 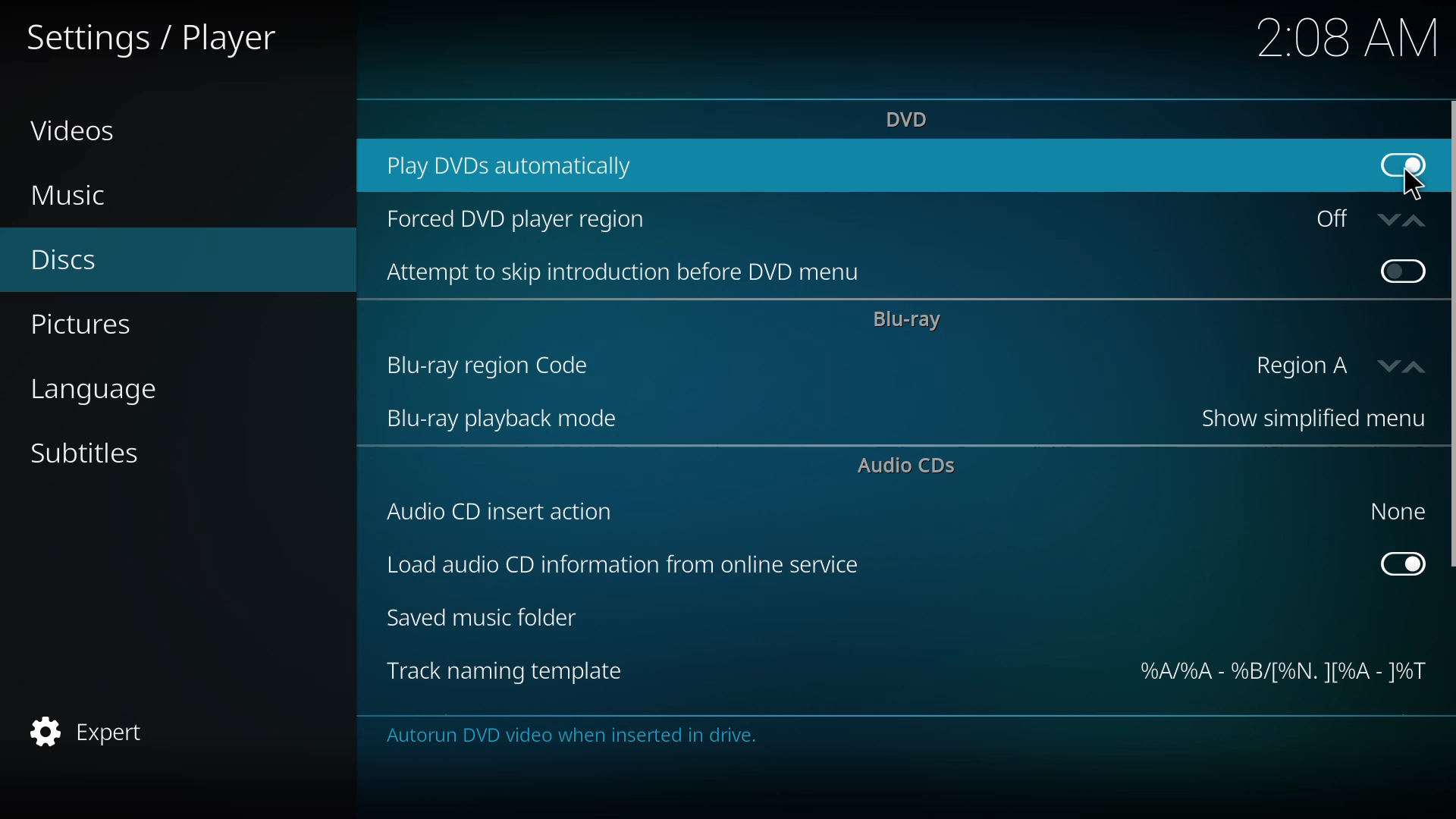 What do you see at coordinates (1453, 335) in the screenshot?
I see `scroll bar` at bounding box center [1453, 335].